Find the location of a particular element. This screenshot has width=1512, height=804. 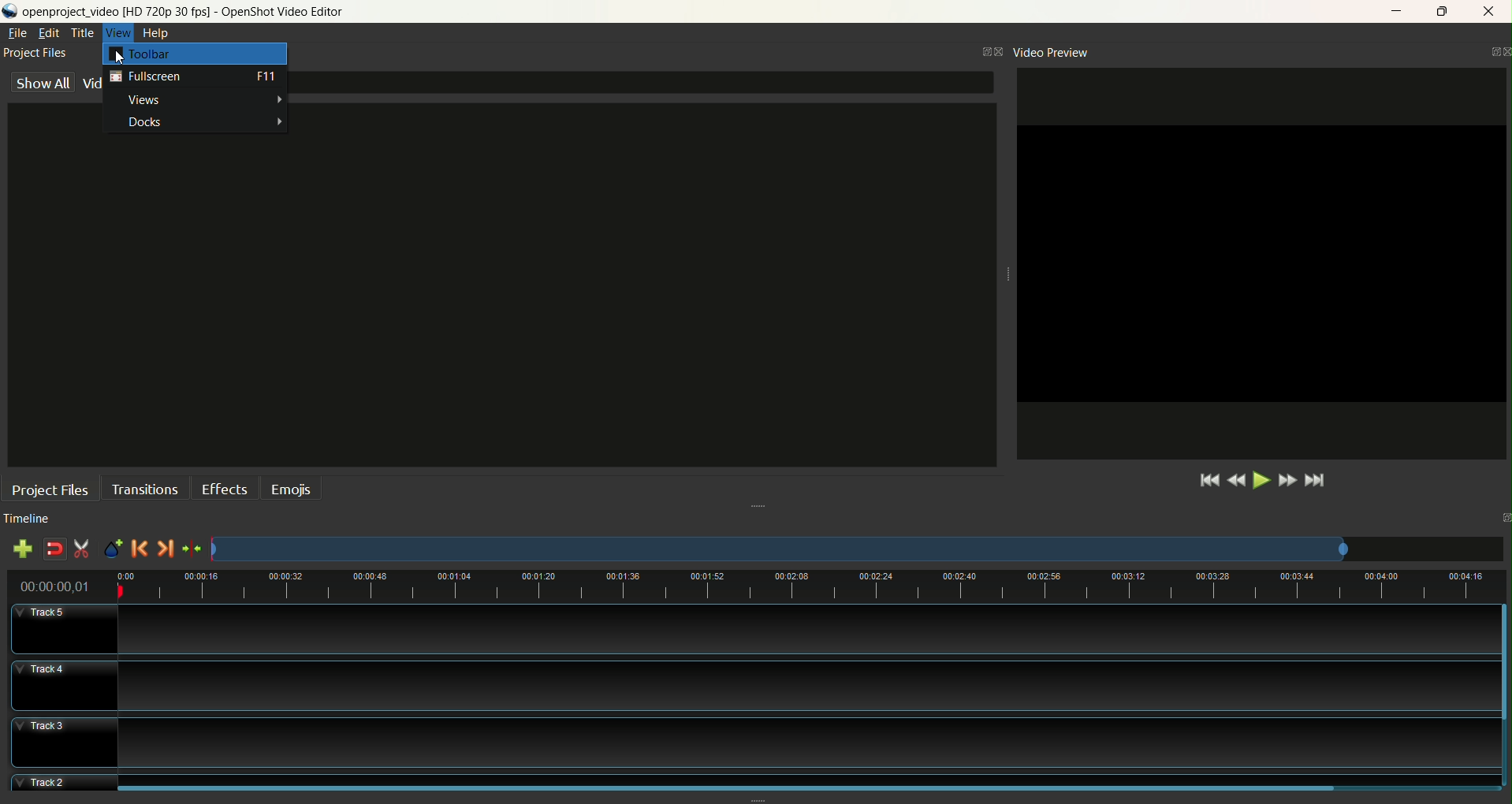

track2 is located at coordinates (757, 781).